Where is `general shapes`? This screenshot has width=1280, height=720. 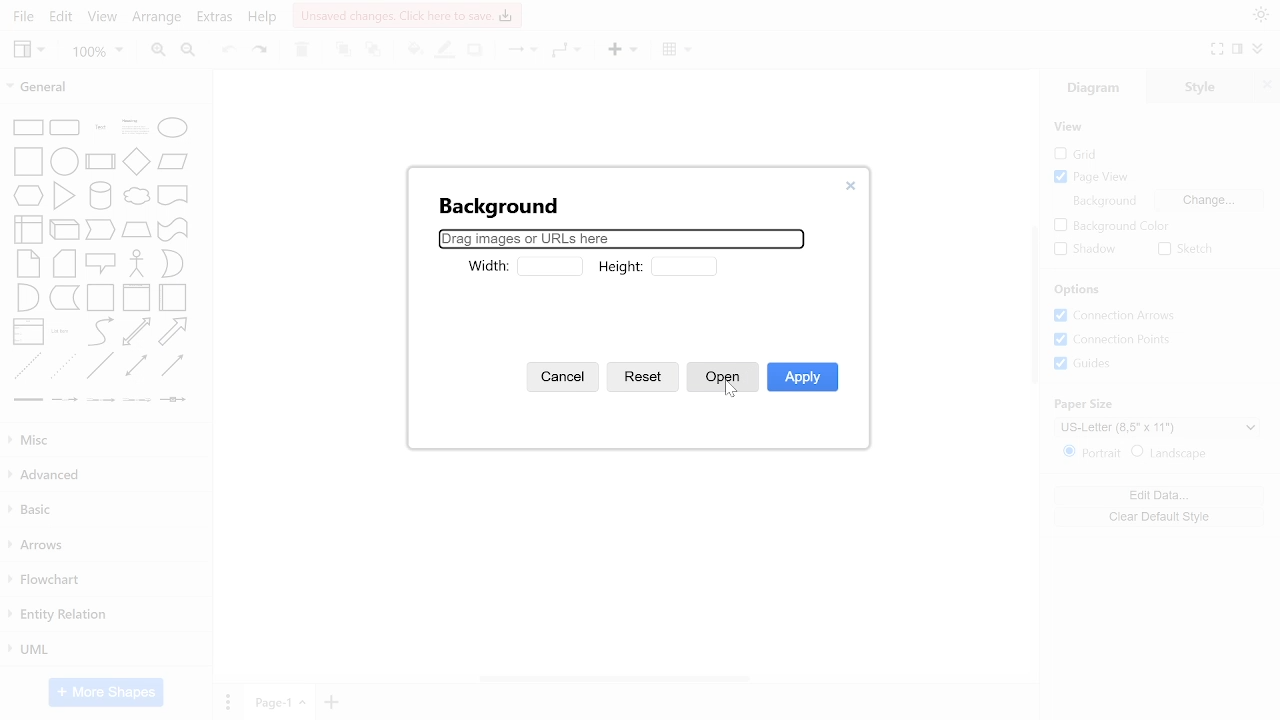 general shapes is located at coordinates (26, 160).